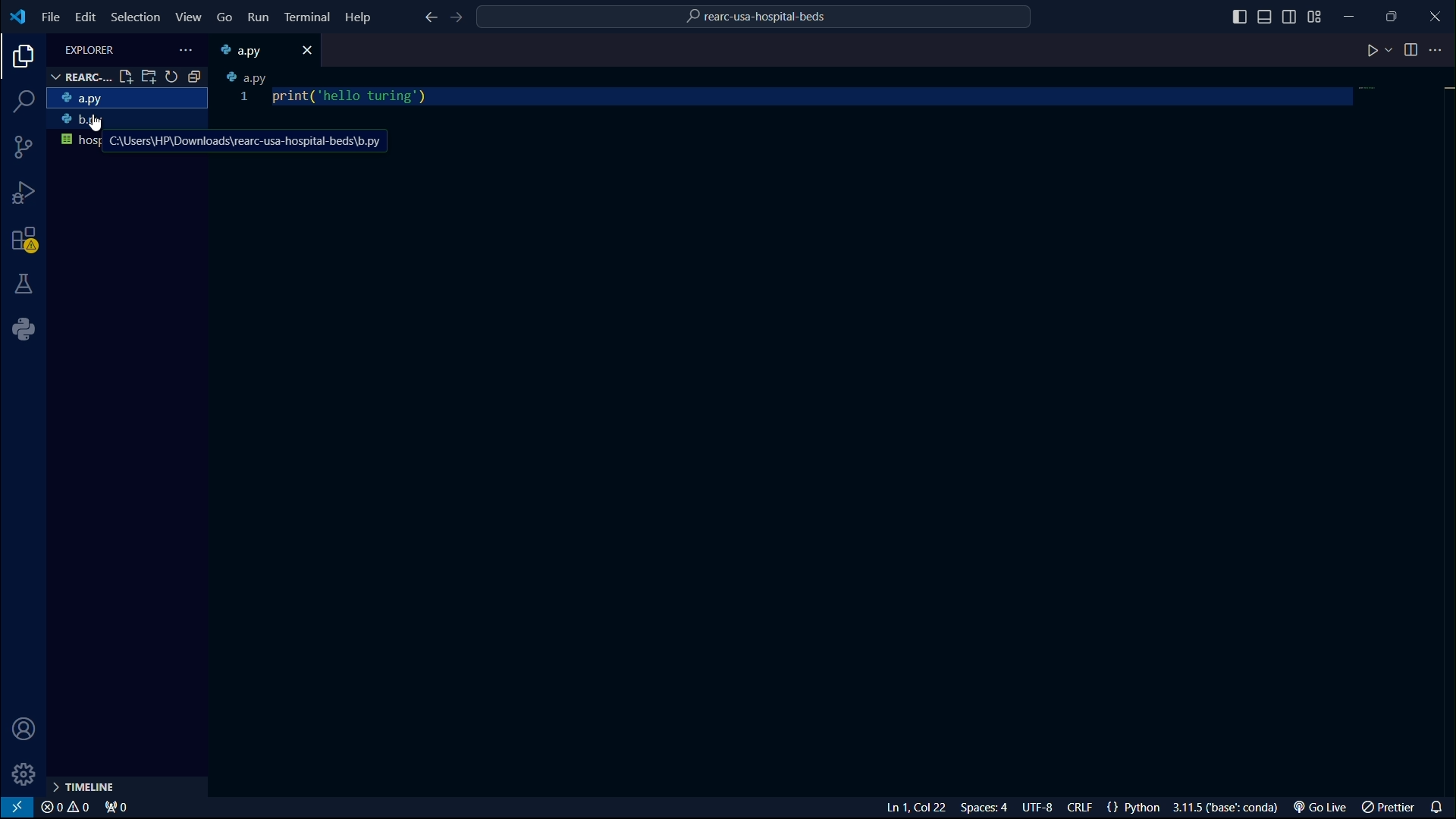  What do you see at coordinates (125, 77) in the screenshot?
I see `new file` at bounding box center [125, 77].